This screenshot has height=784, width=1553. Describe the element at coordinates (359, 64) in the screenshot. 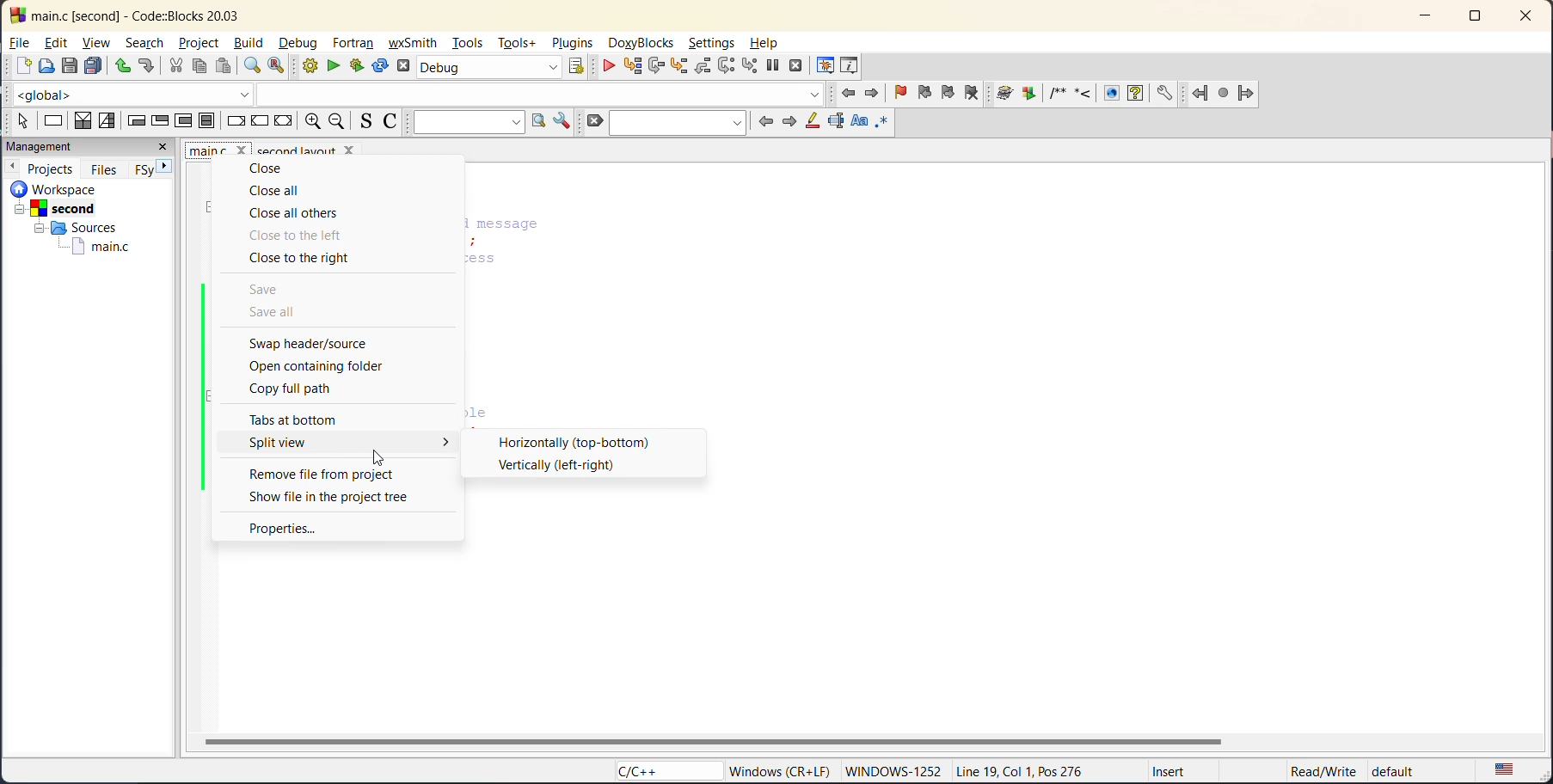

I see `build and run` at that location.